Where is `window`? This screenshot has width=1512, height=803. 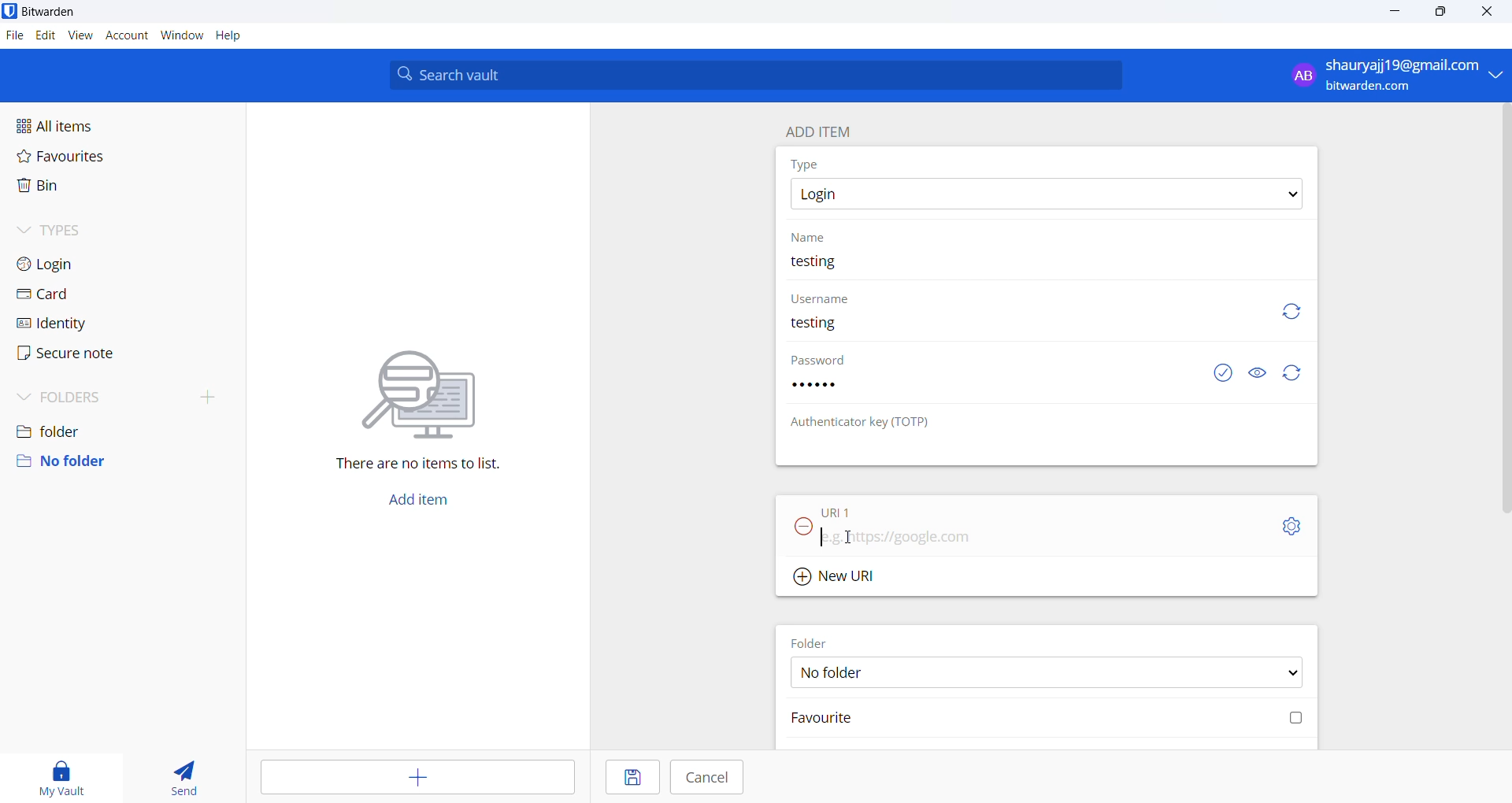 window is located at coordinates (182, 35).